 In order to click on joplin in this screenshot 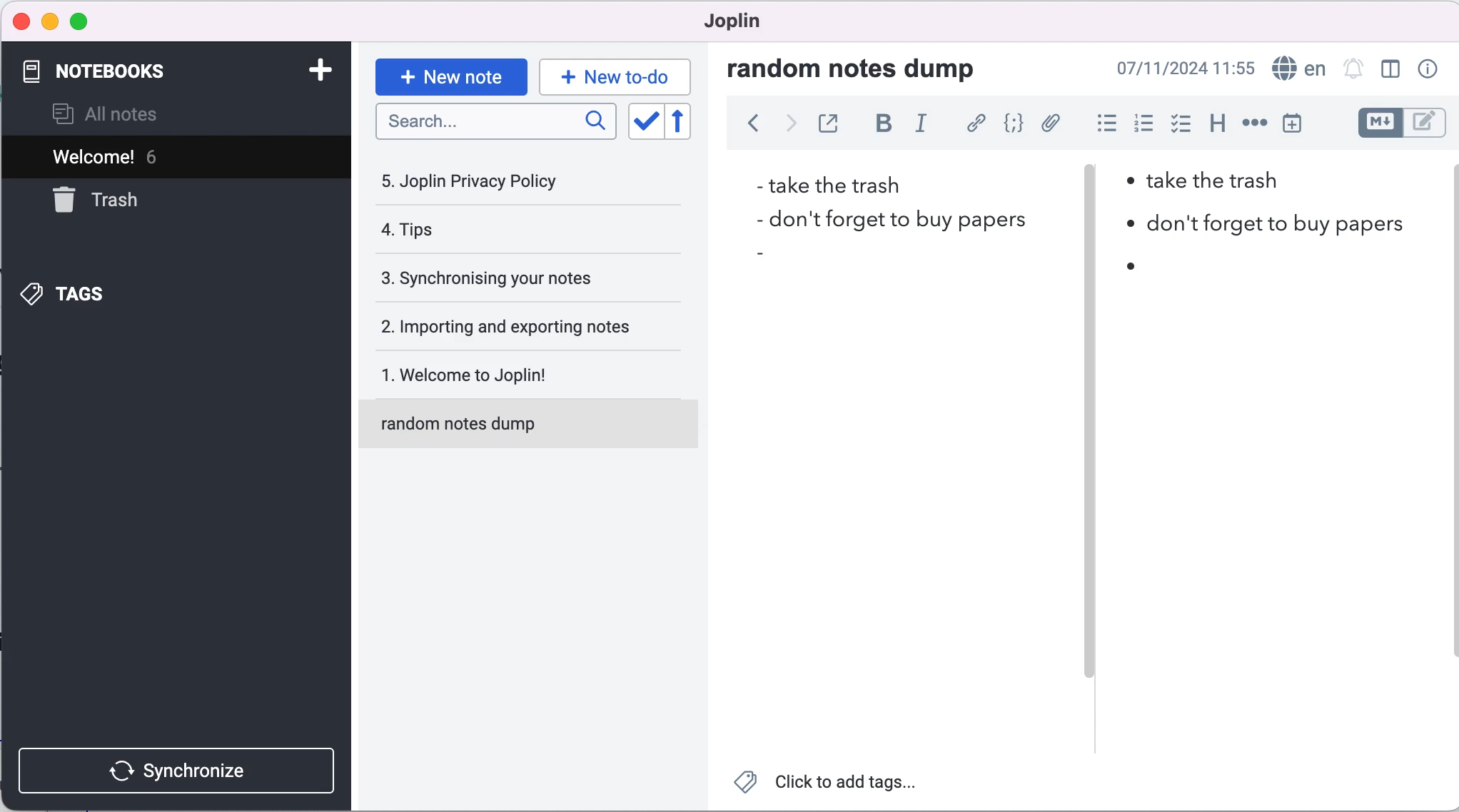, I will do `click(739, 25)`.